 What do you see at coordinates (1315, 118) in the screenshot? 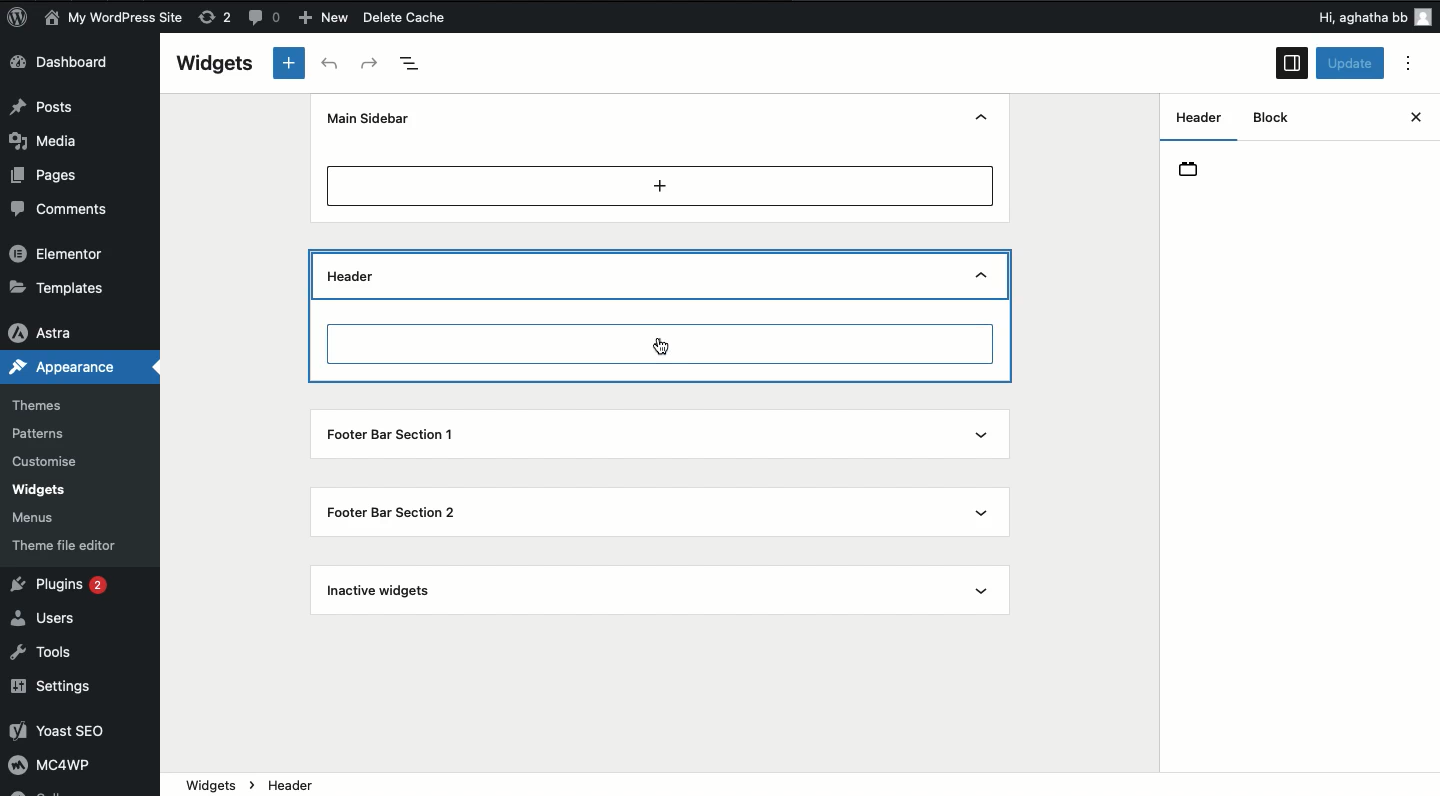
I see `Block` at bounding box center [1315, 118].